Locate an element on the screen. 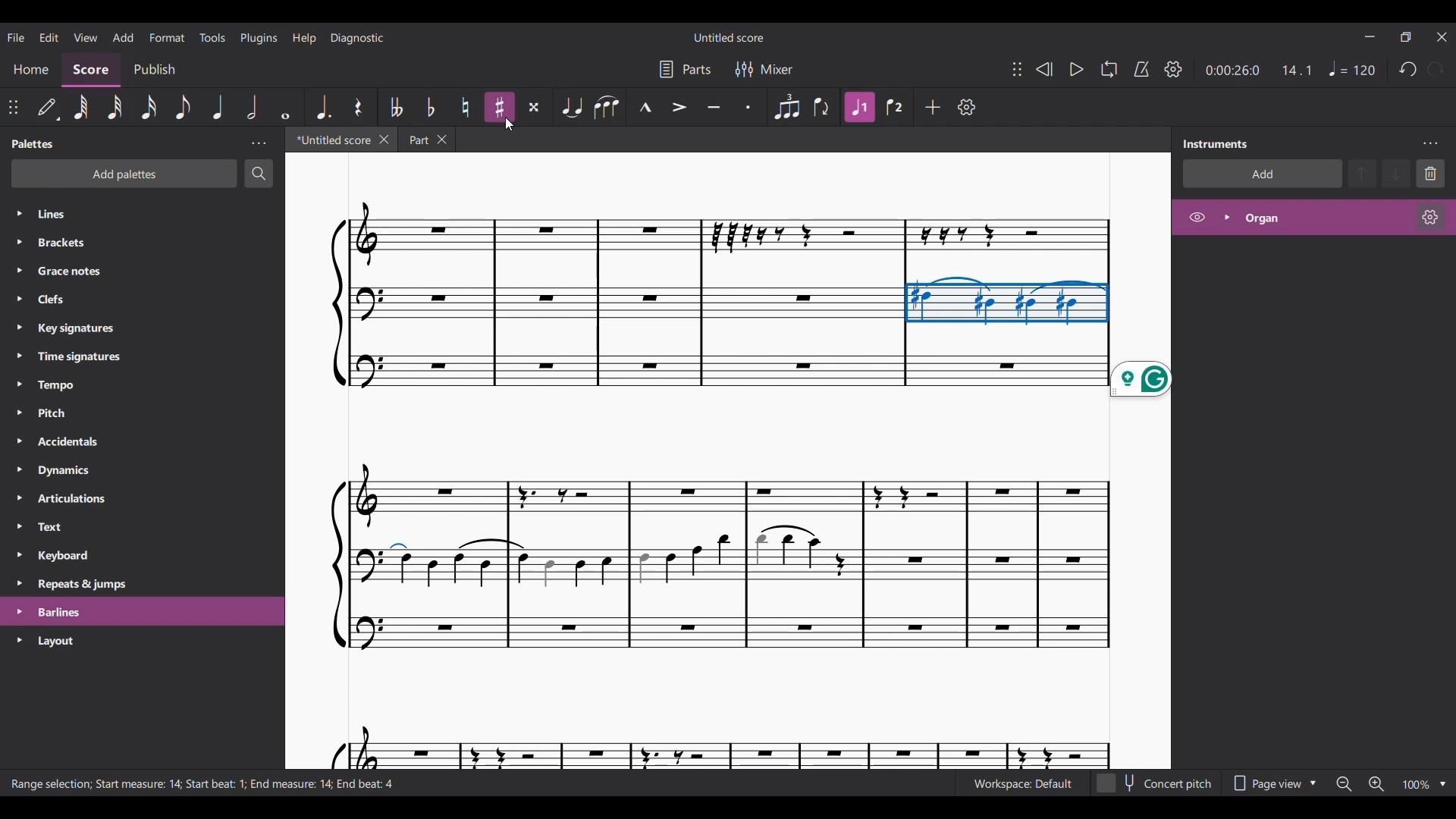 The height and width of the screenshot is (819, 1456). Search is located at coordinates (258, 174).